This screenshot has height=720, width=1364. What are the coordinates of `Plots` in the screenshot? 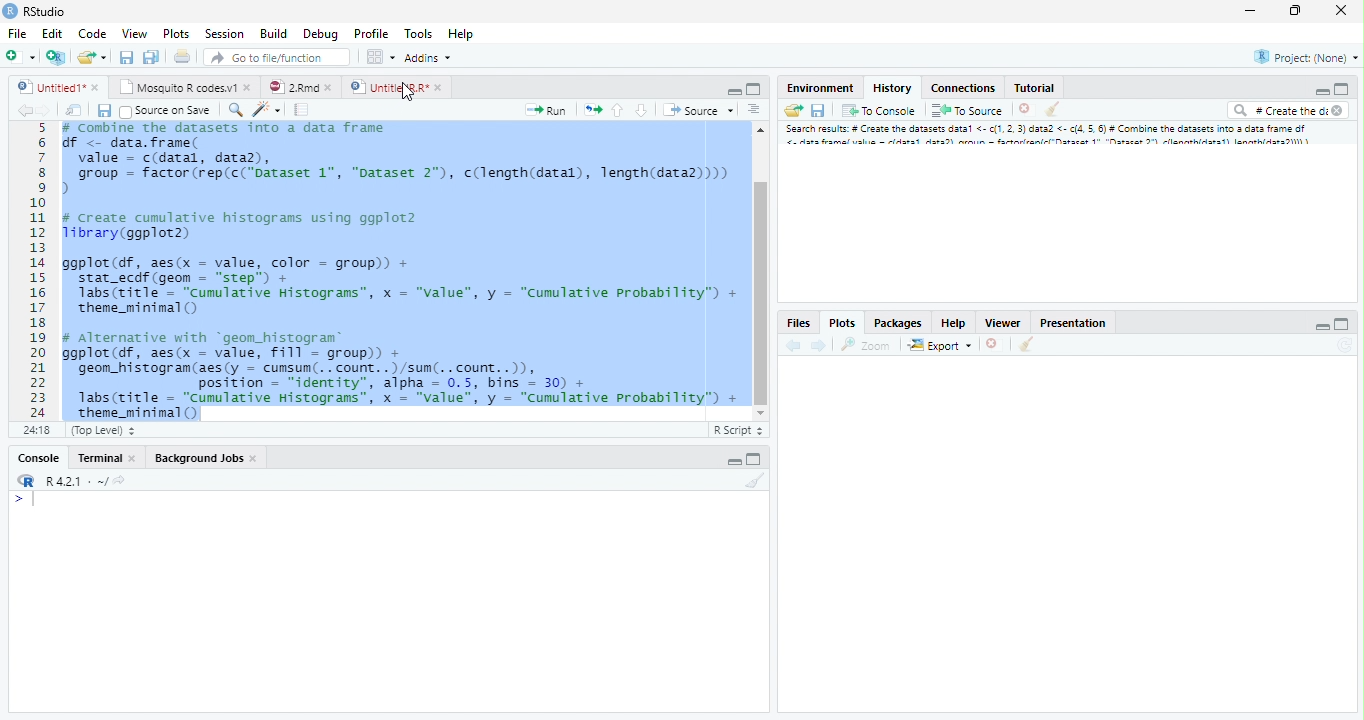 It's located at (841, 322).